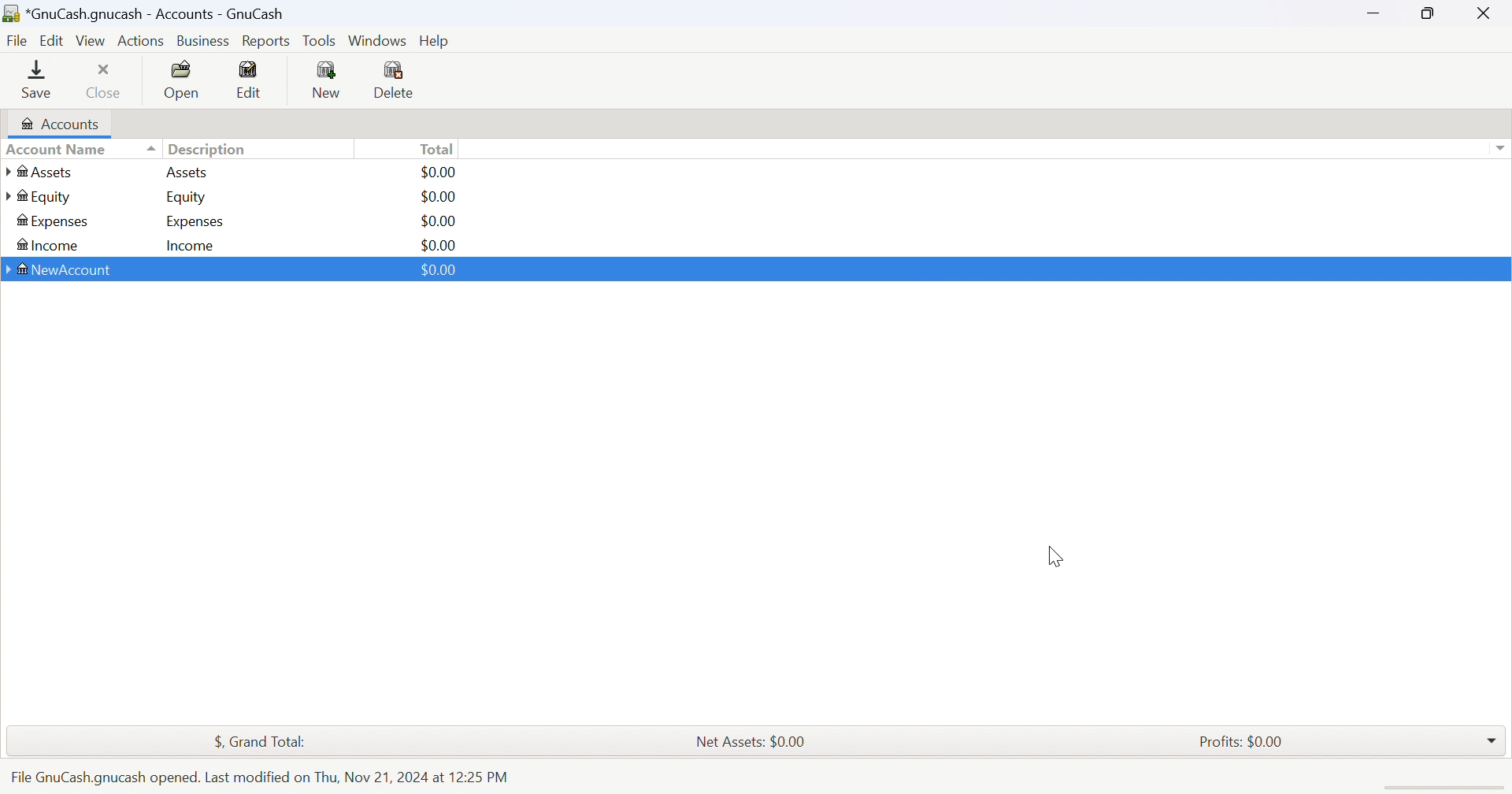 The image size is (1512, 794). Describe the element at coordinates (80, 150) in the screenshot. I see `Account Name` at that location.